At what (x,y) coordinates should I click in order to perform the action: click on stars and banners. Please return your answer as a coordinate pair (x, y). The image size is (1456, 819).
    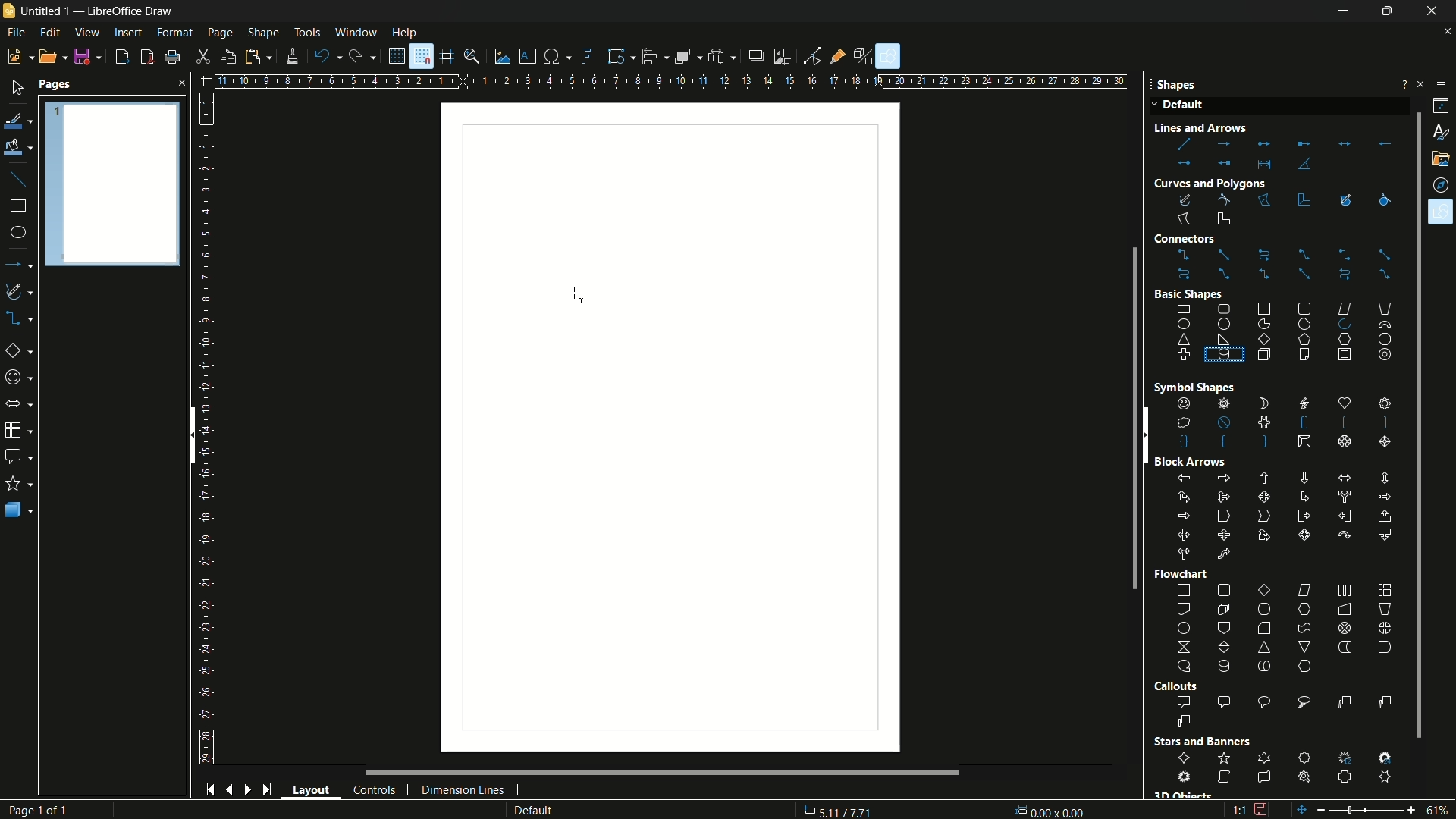
    Looking at the image, I should click on (20, 483).